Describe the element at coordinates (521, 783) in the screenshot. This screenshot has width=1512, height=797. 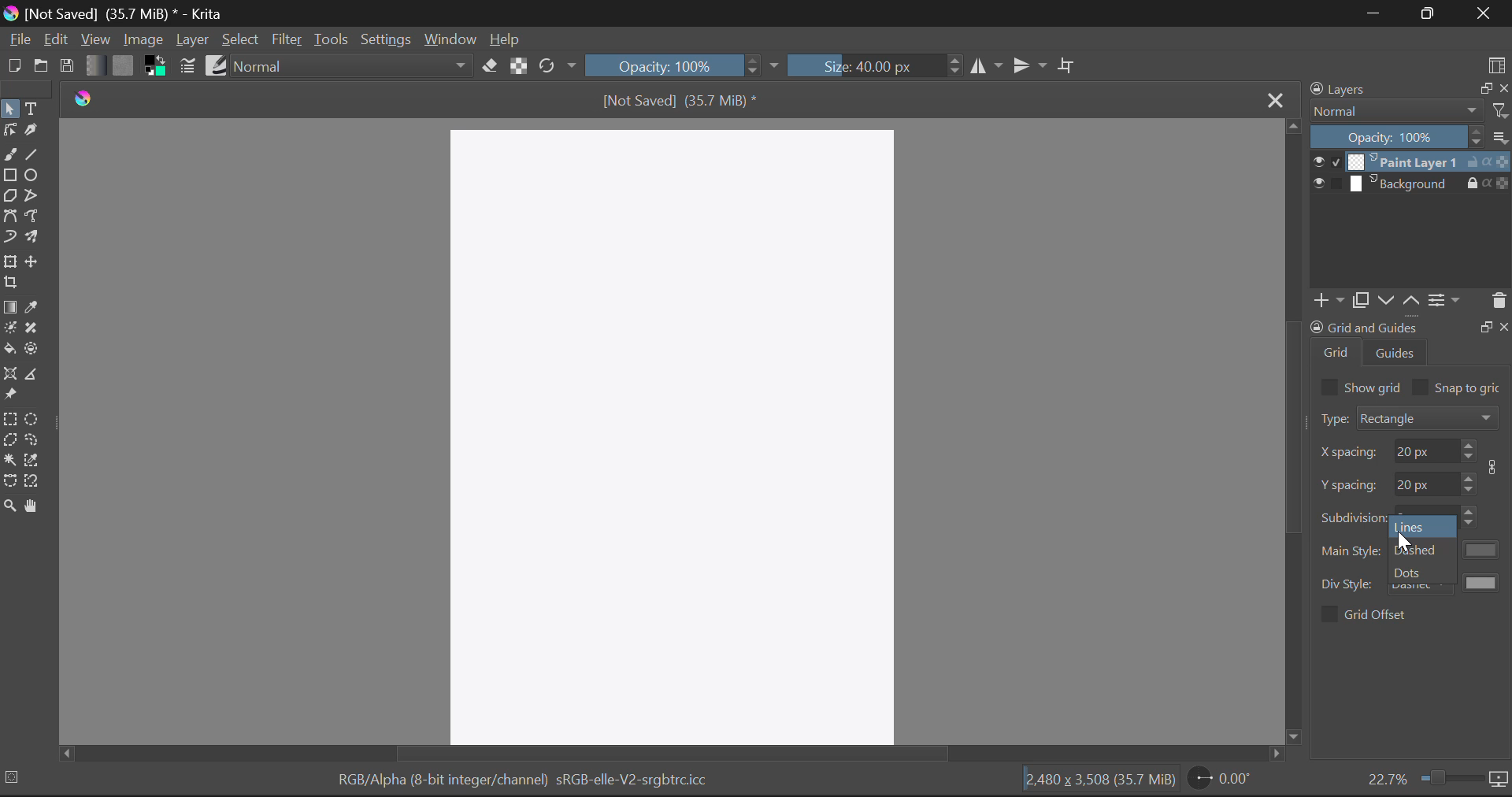
I see `RGB/Alpha (8-bit integer/channel) sRGB-elle-V2-srgbtrc.icc` at that location.